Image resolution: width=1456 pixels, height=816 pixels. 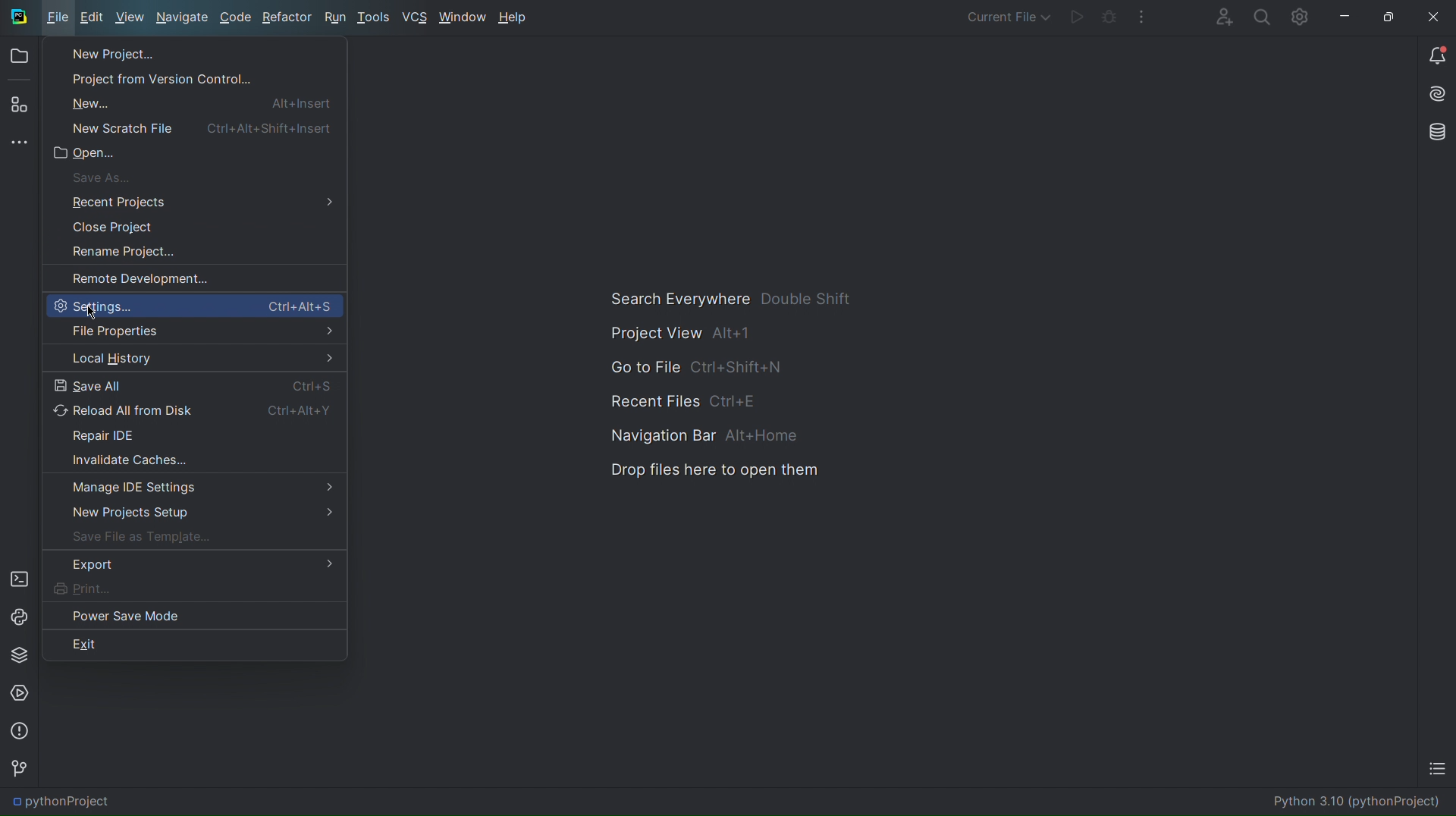 What do you see at coordinates (729, 297) in the screenshot?
I see `Search Everywhere` at bounding box center [729, 297].